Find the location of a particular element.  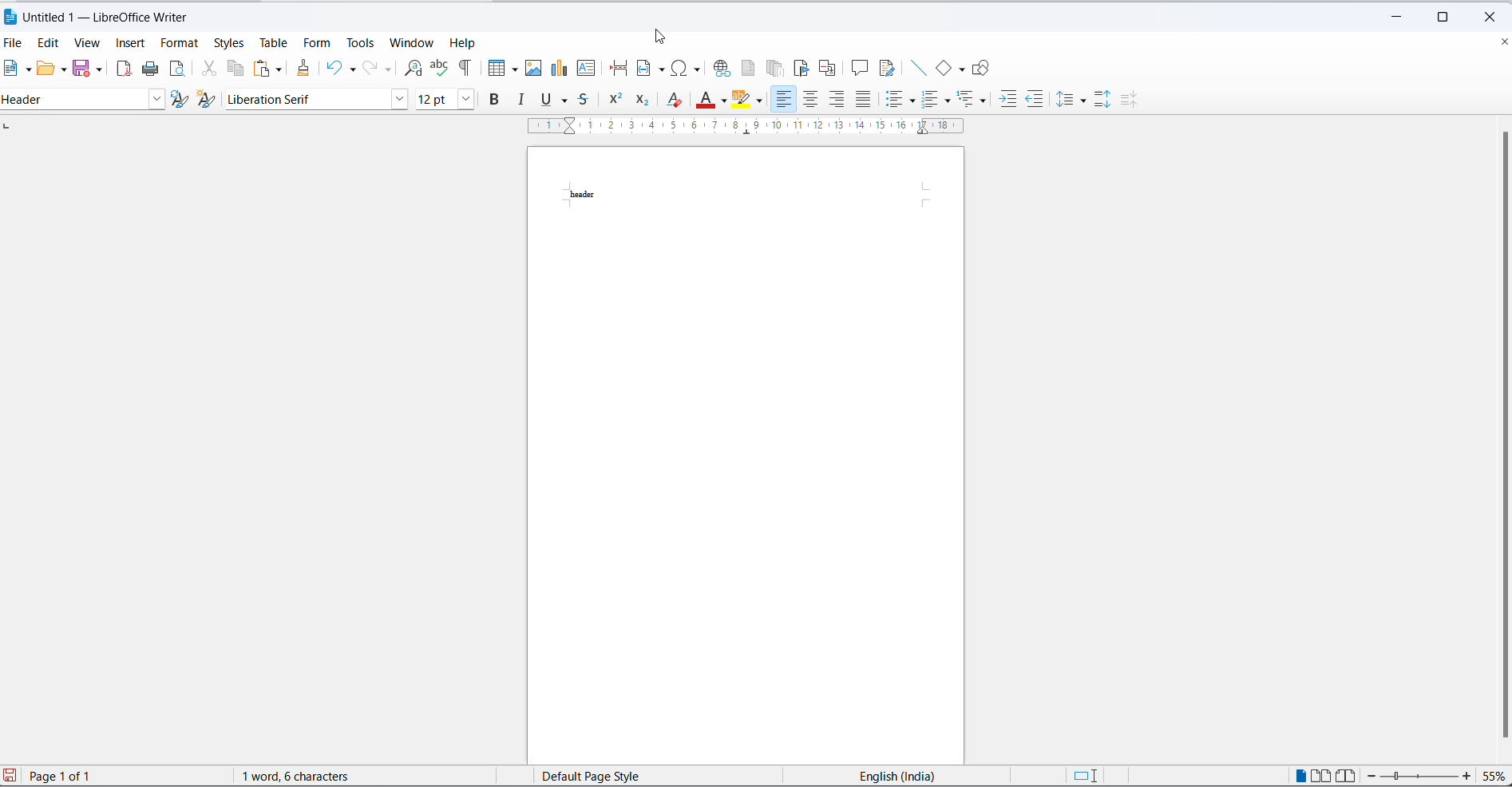

text align left is located at coordinates (784, 101).